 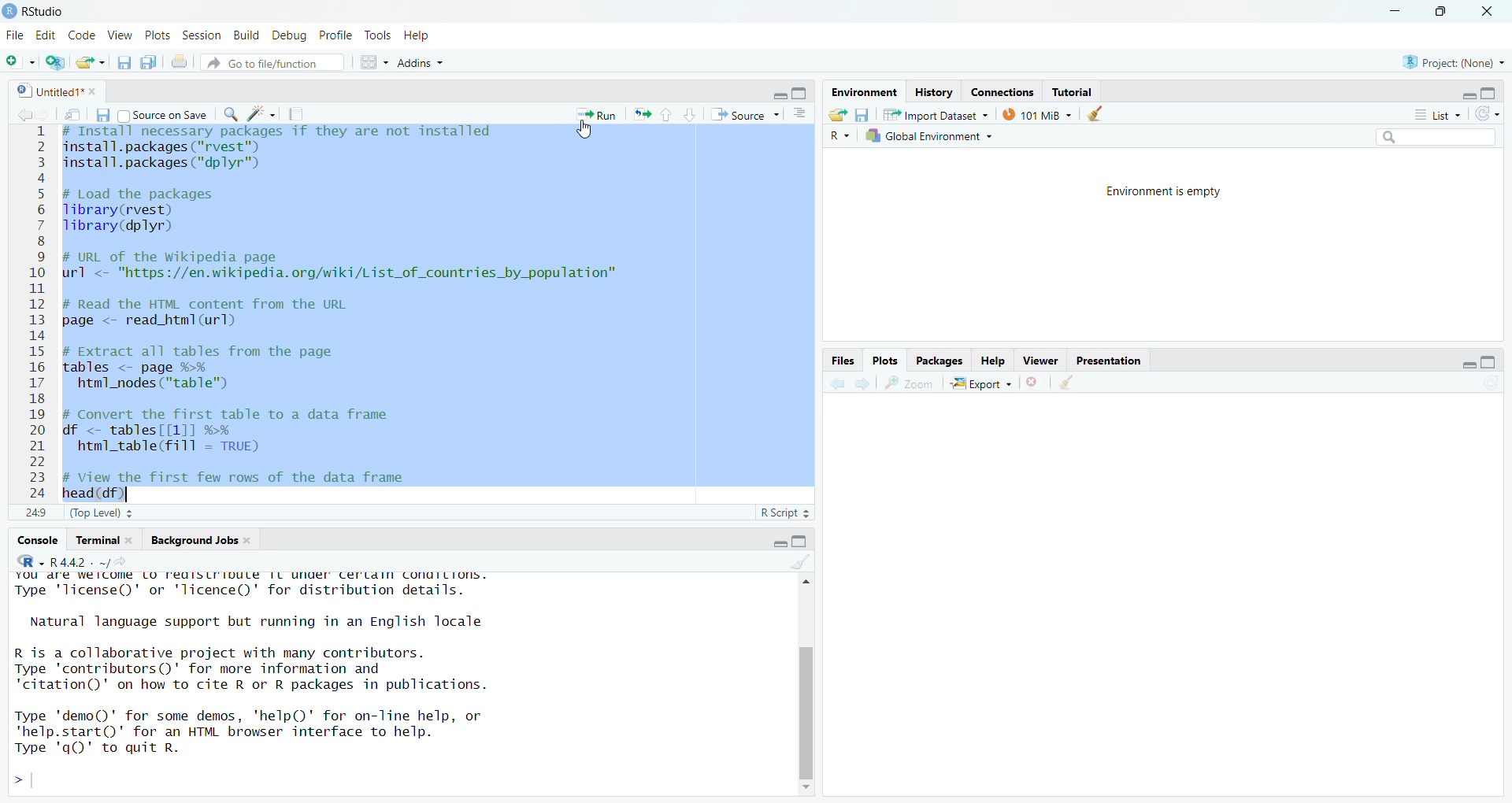 I want to click on New project, so click(x=56, y=62).